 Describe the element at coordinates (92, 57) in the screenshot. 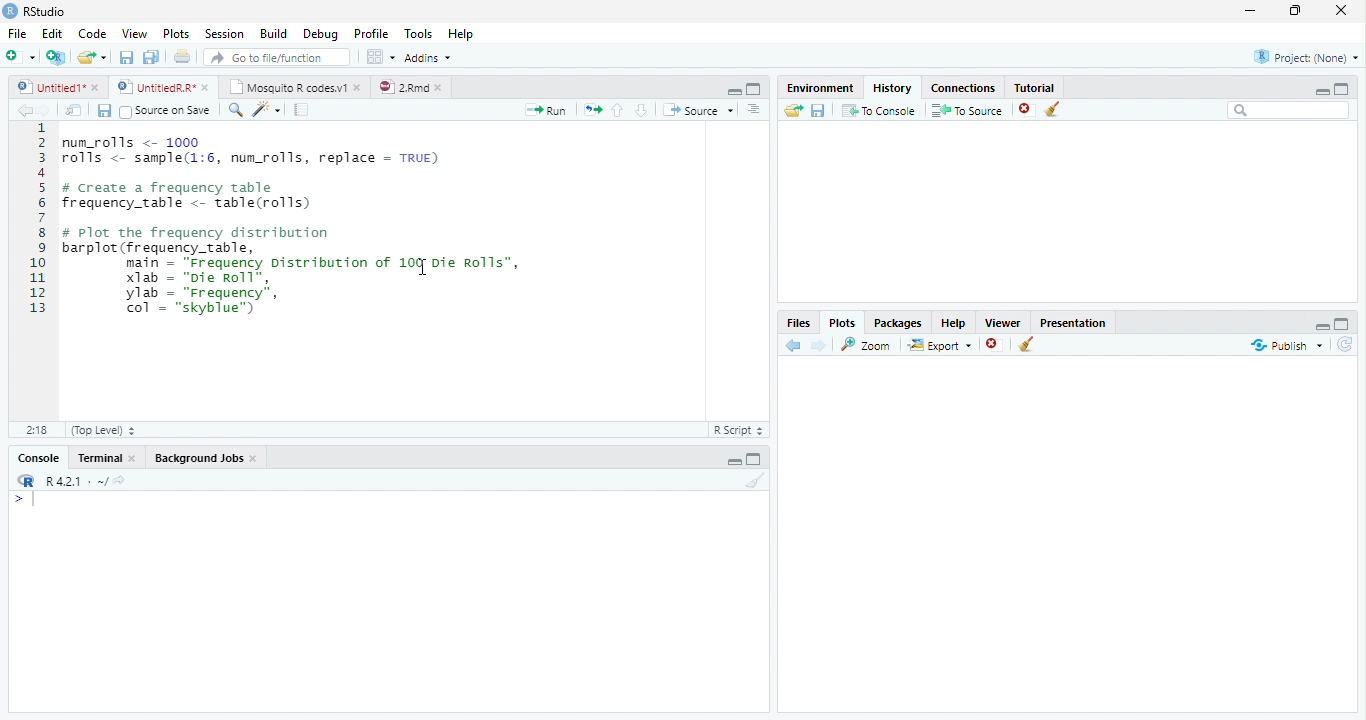

I see `Open an existing file` at that location.